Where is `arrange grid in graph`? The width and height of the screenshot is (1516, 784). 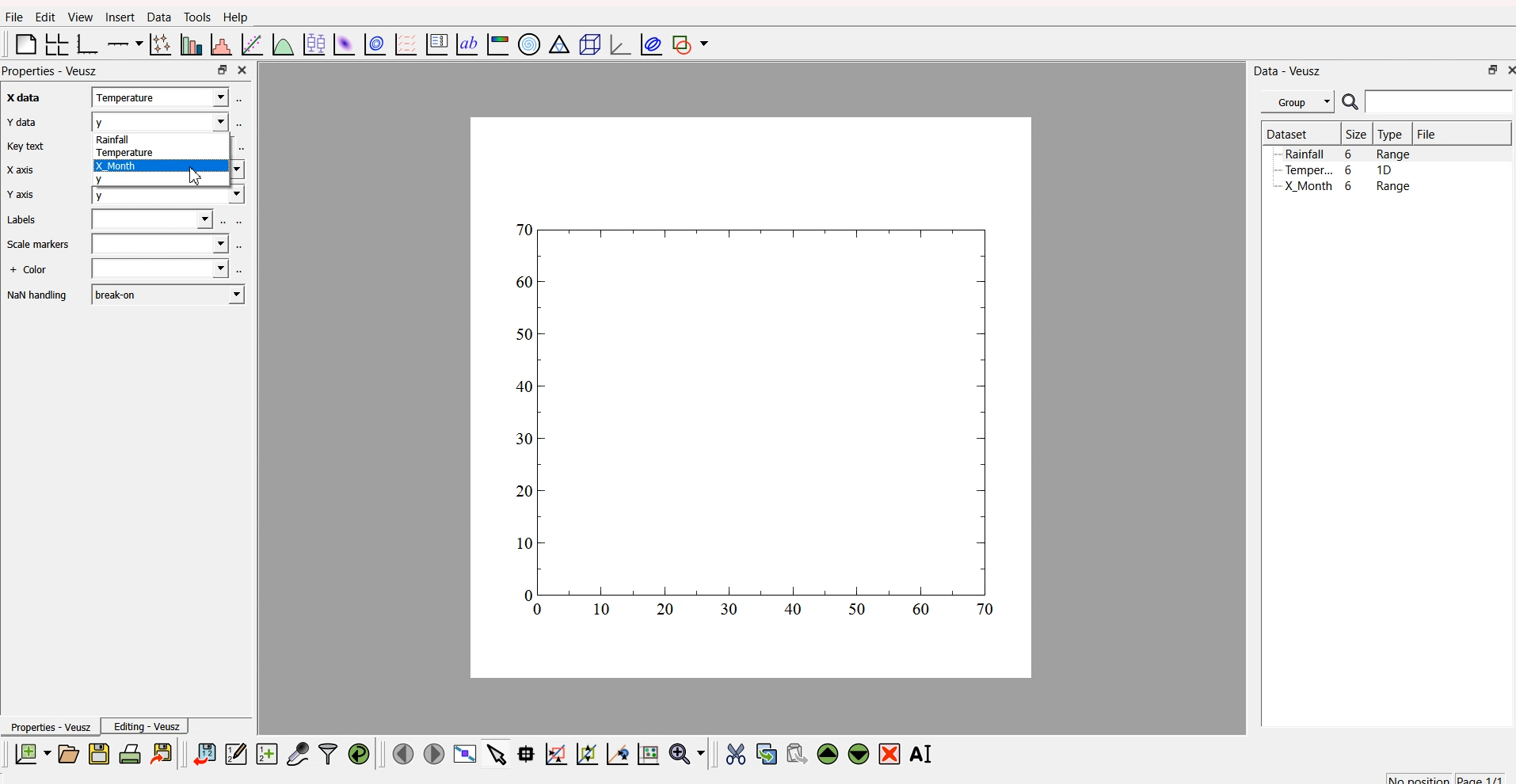
arrange grid in graph is located at coordinates (55, 45).